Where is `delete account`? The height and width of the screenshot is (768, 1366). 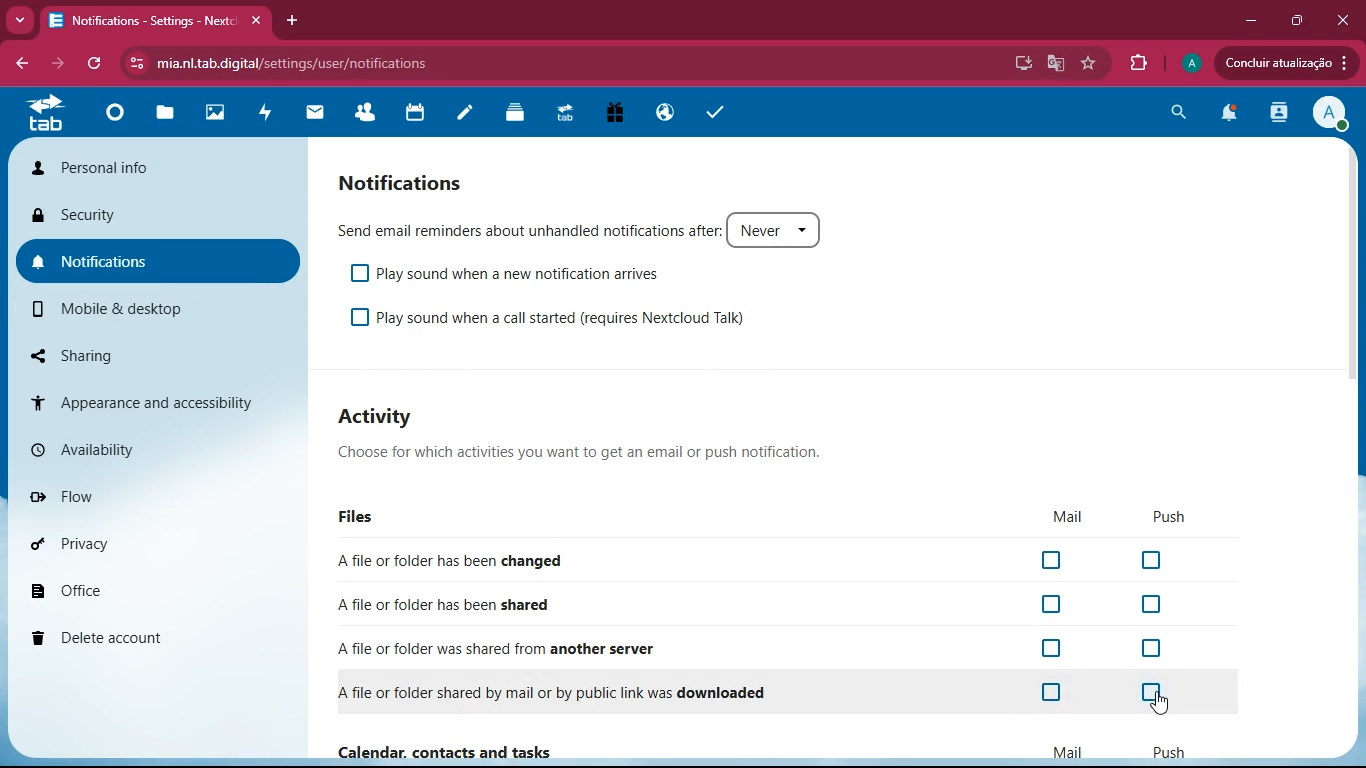
delete account is located at coordinates (119, 635).